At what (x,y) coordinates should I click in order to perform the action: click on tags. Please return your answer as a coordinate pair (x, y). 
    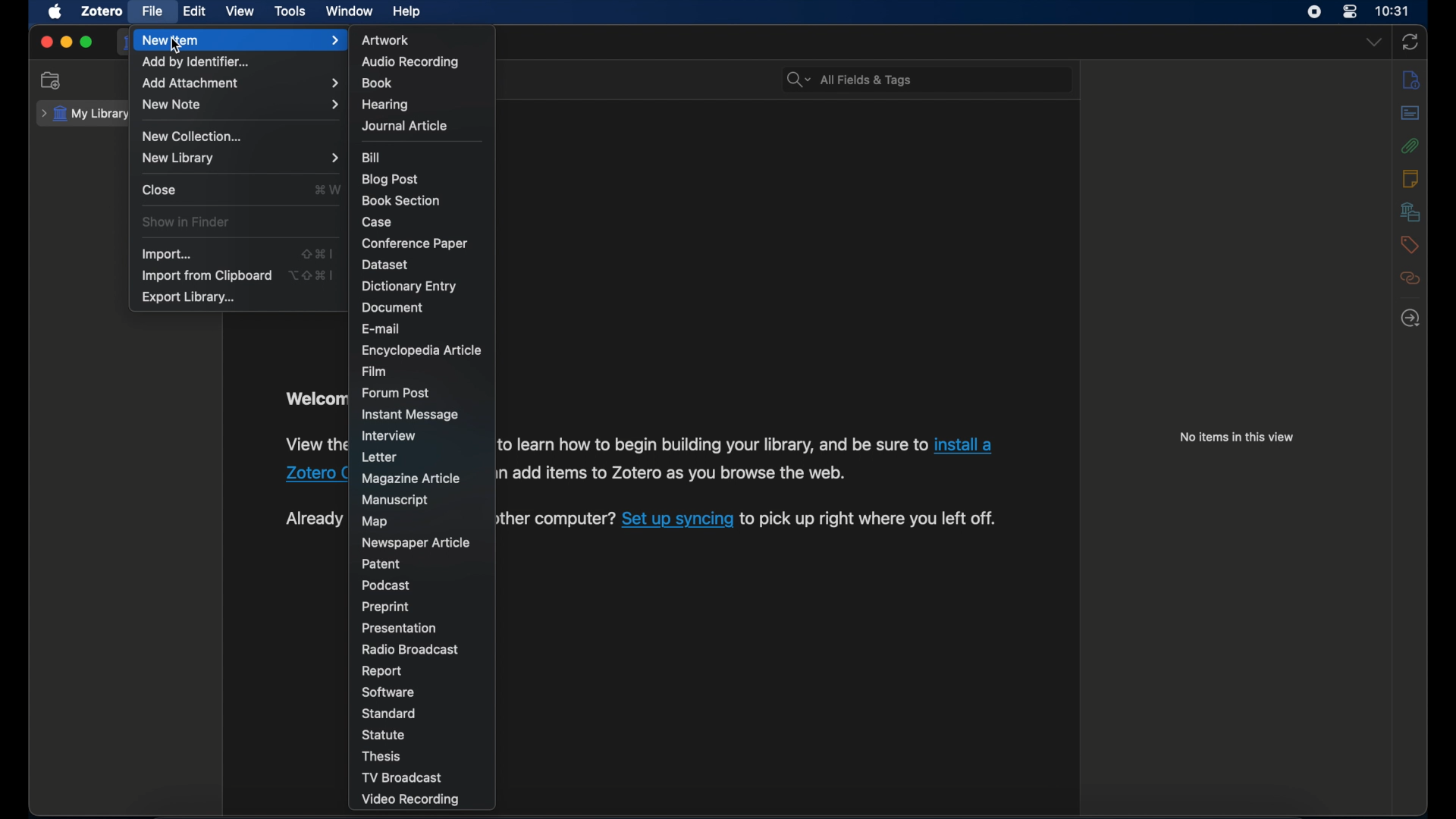
    Looking at the image, I should click on (1410, 244).